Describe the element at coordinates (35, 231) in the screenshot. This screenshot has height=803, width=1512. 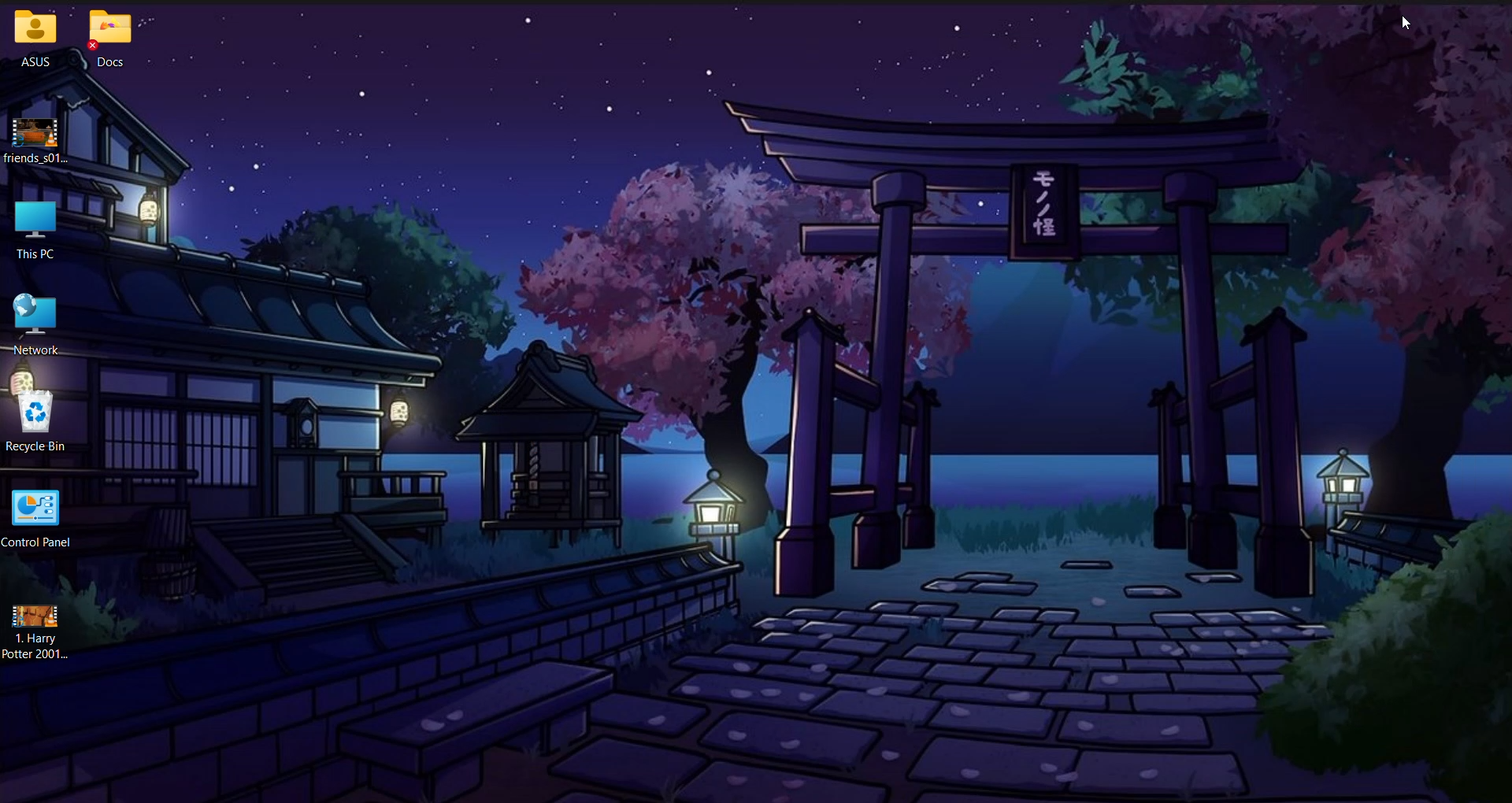
I see `This PC` at that location.